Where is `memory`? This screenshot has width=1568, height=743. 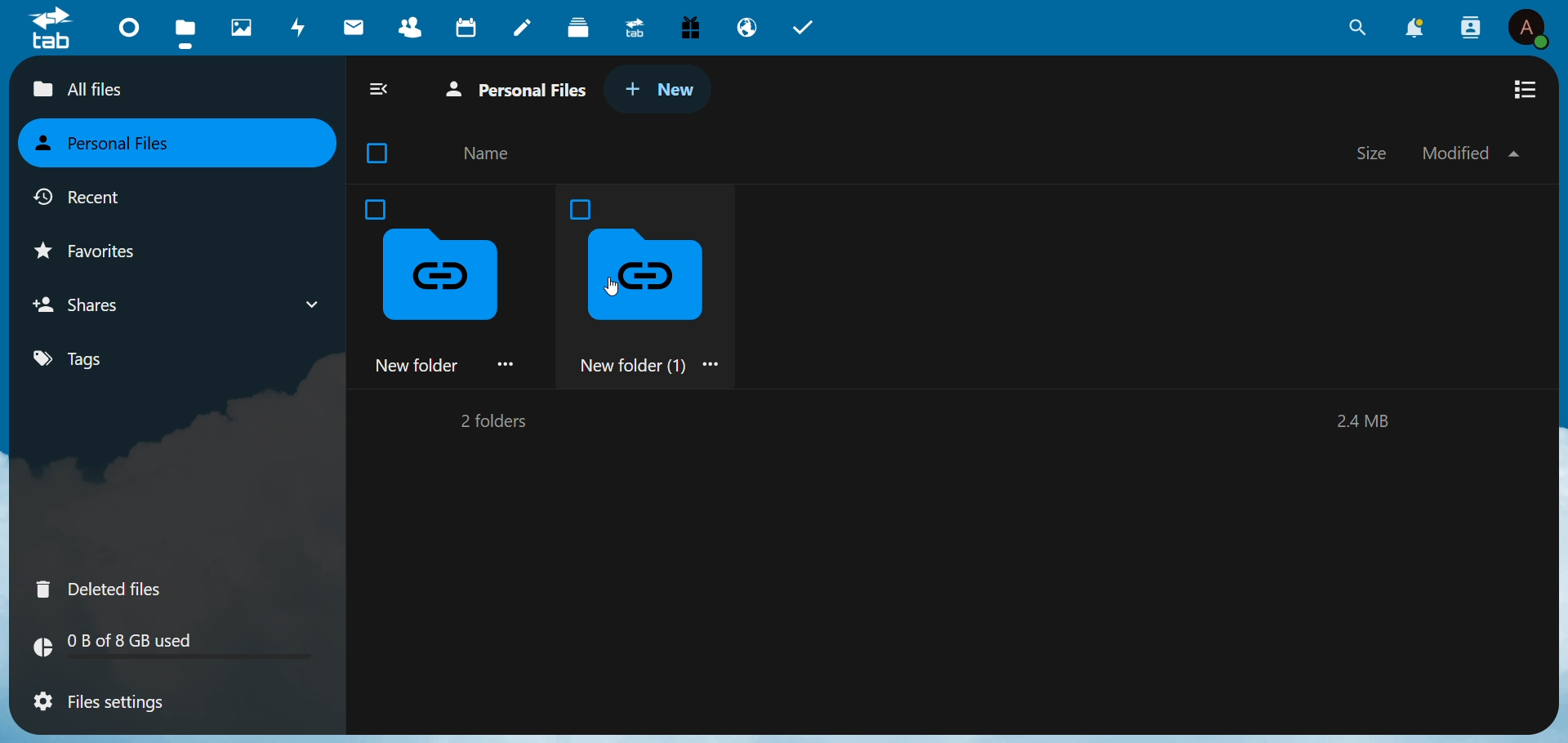
memory is located at coordinates (1366, 423).